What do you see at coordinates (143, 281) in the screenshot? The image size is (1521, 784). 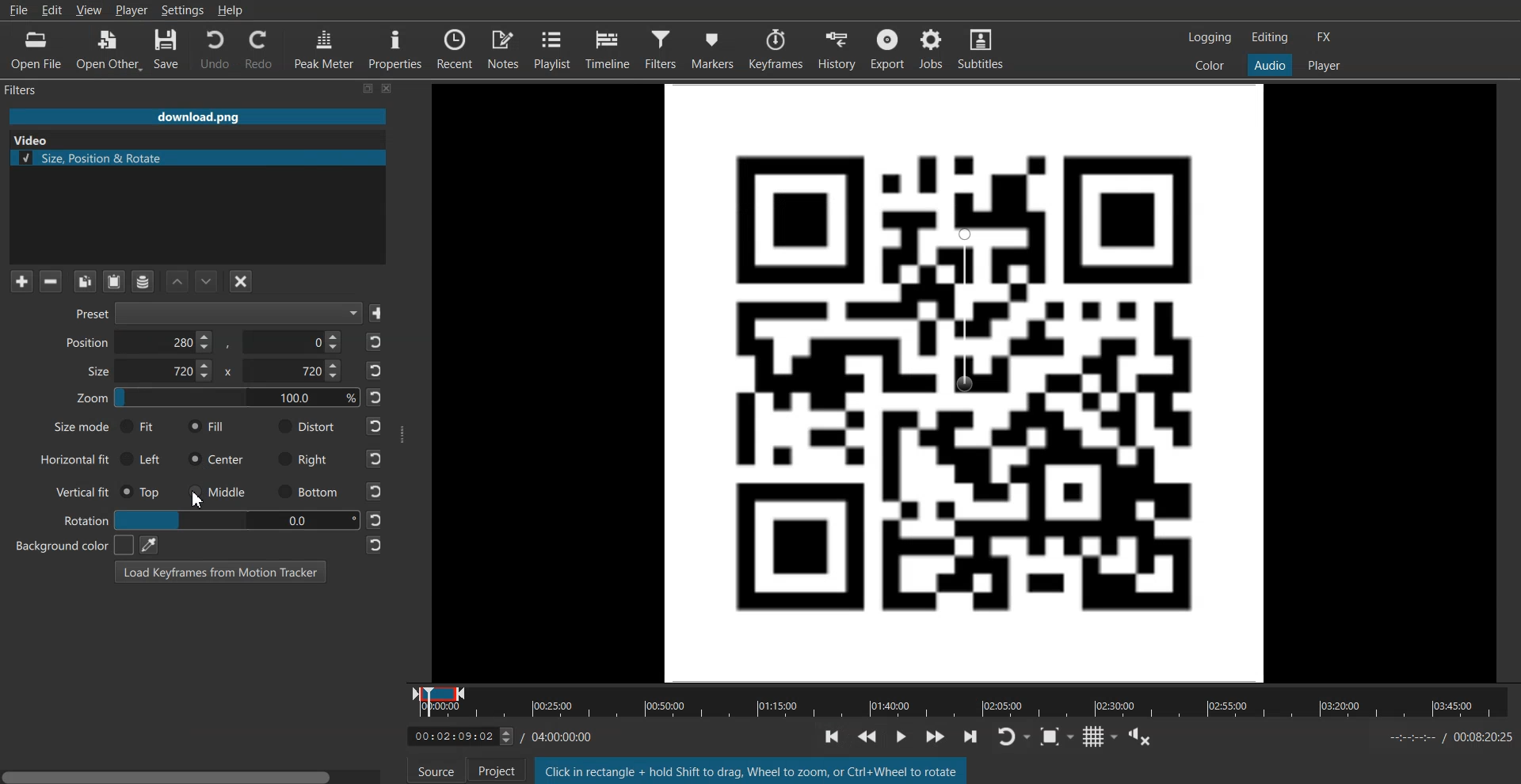 I see `Save a filter set` at bounding box center [143, 281].